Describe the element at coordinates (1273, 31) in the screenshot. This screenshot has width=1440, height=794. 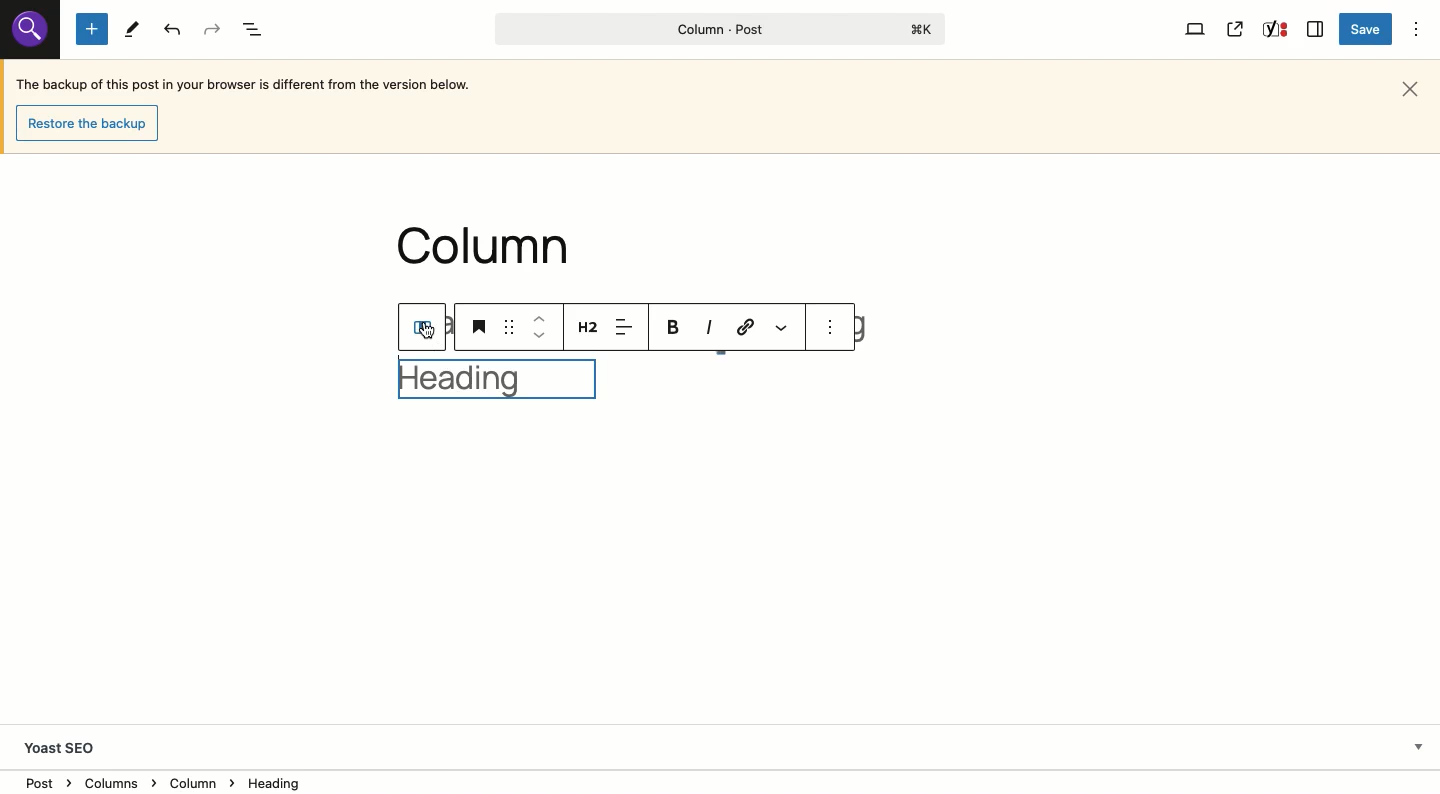
I see `Yoast` at that location.